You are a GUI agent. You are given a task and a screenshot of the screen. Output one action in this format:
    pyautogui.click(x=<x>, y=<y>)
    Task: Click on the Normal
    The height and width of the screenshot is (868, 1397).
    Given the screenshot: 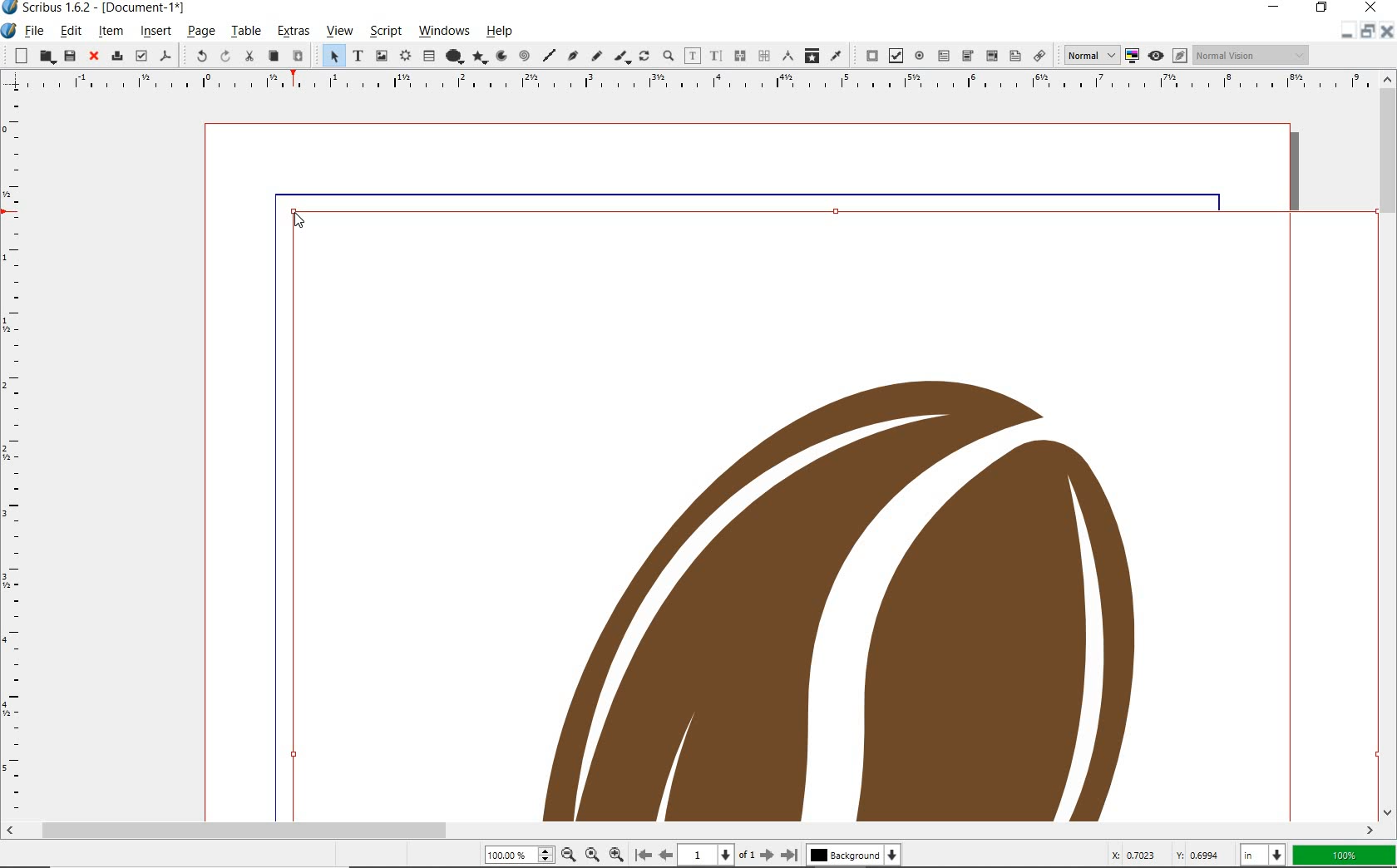 What is the action you would take?
    pyautogui.click(x=1087, y=55)
    